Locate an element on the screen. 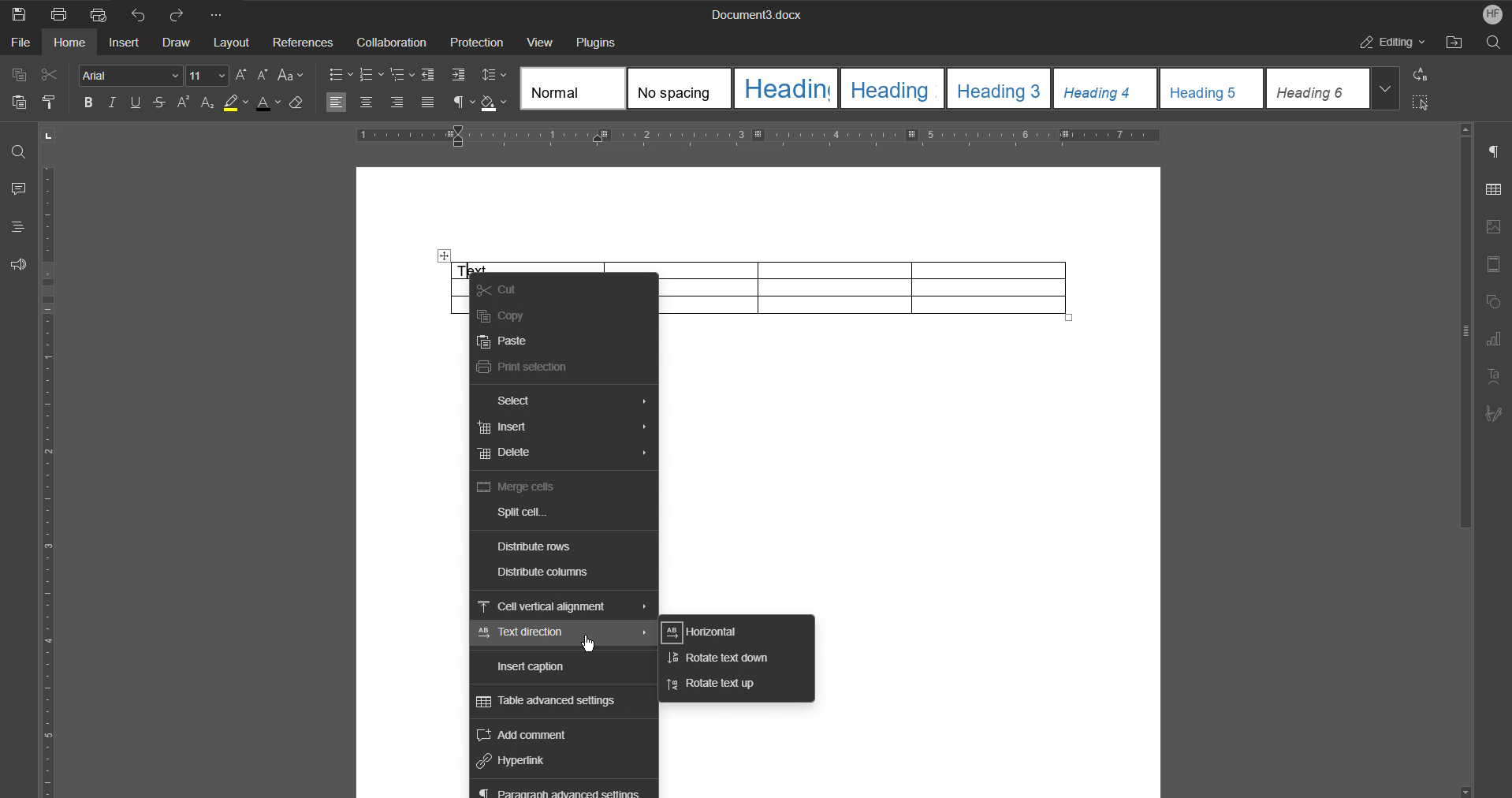 This screenshot has height=798, width=1512. Bold is located at coordinates (91, 103).